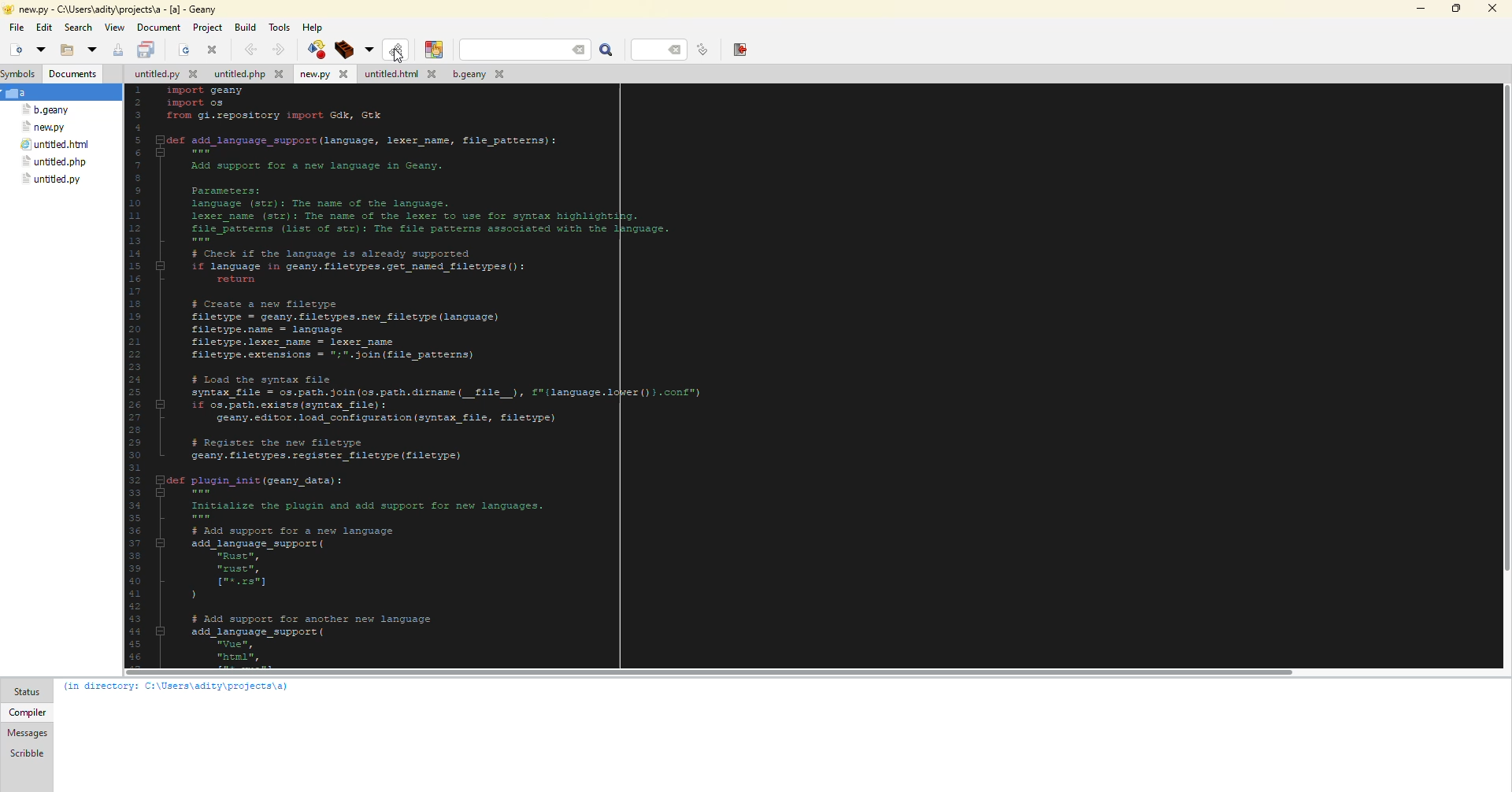  Describe the element at coordinates (701, 672) in the screenshot. I see `scroll bar` at that location.